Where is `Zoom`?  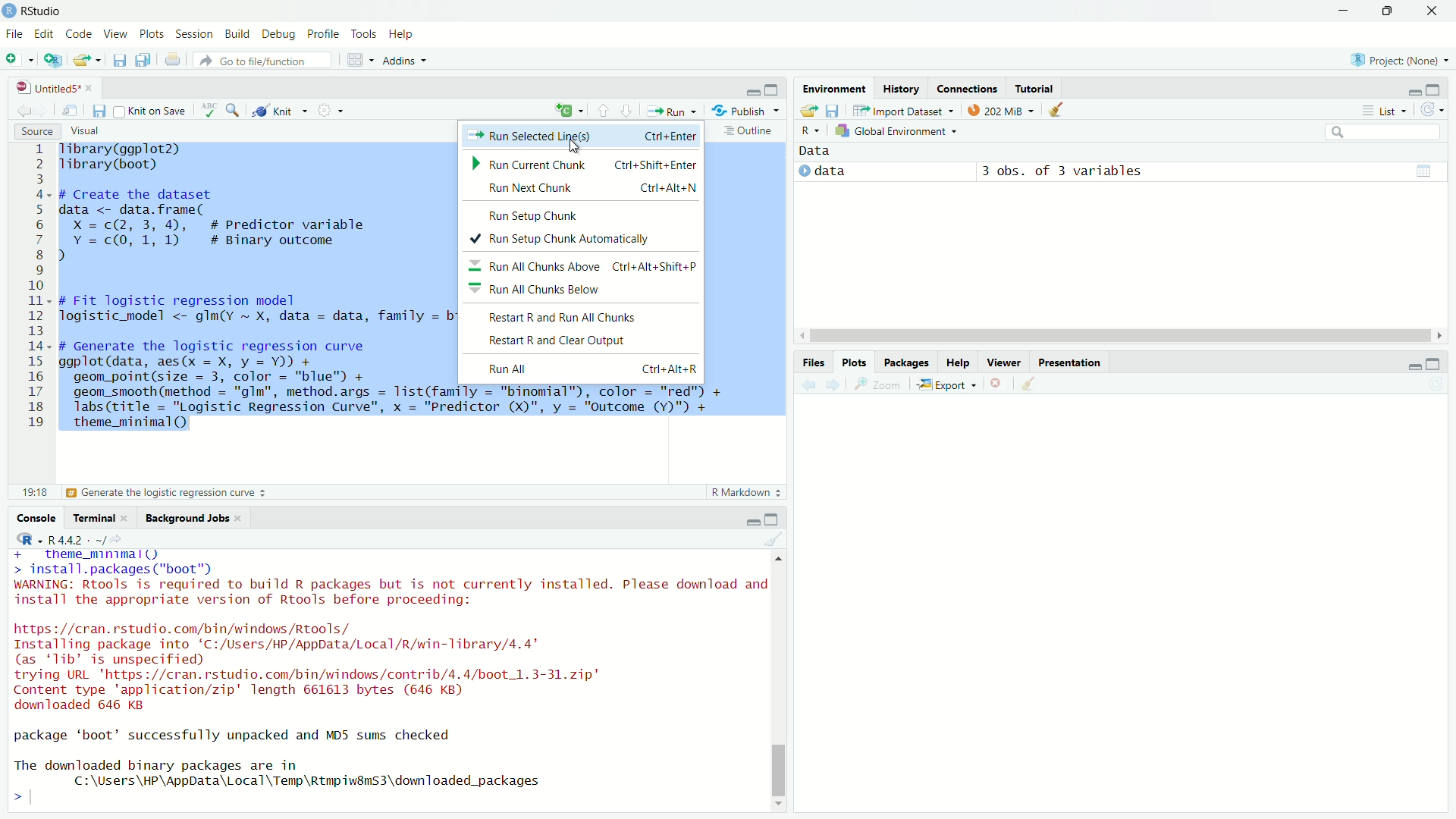
Zoom is located at coordinates (876, 384).